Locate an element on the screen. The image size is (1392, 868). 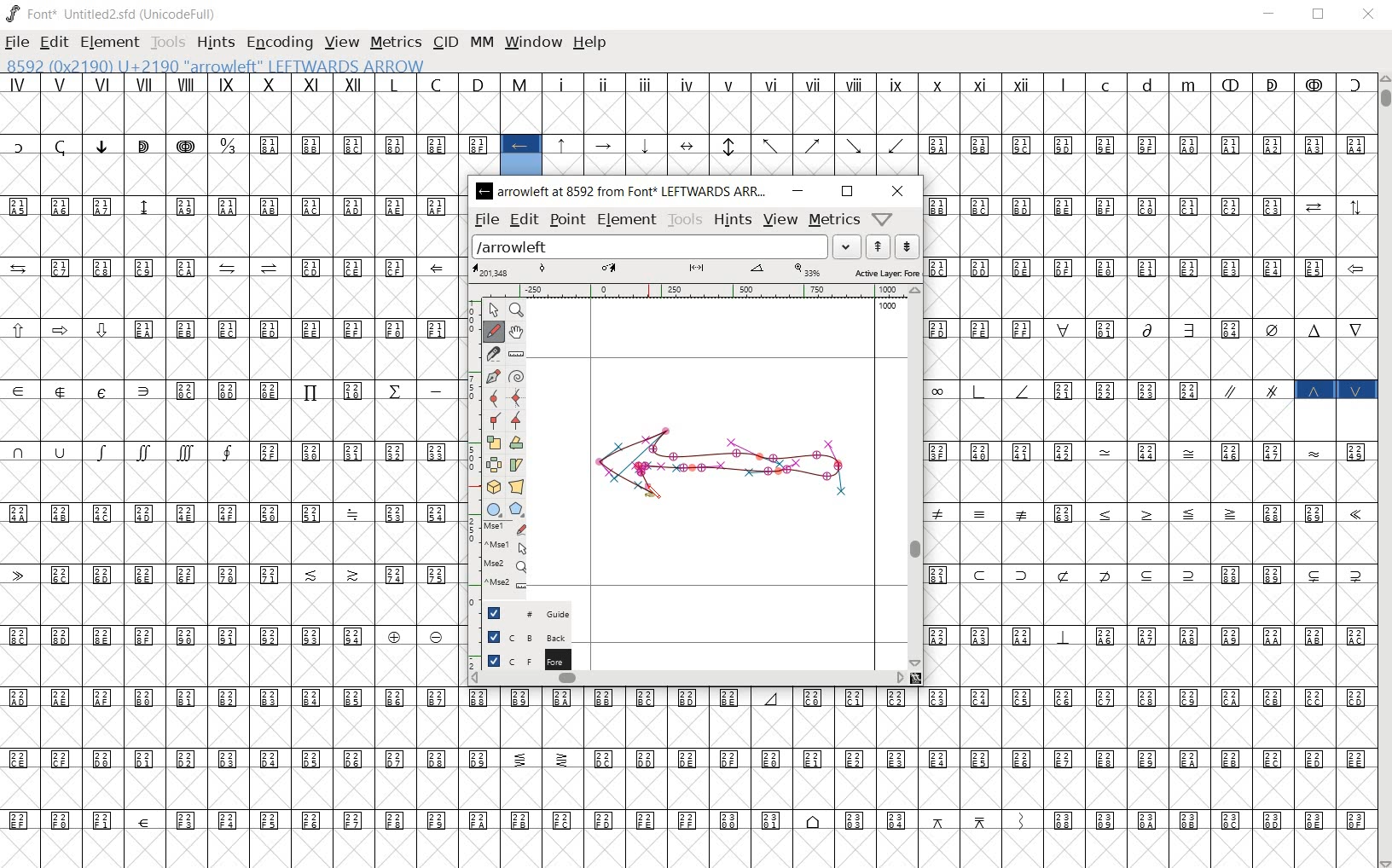
add a curve point always either horizontal or vertical is located at coordinates (517, 396).